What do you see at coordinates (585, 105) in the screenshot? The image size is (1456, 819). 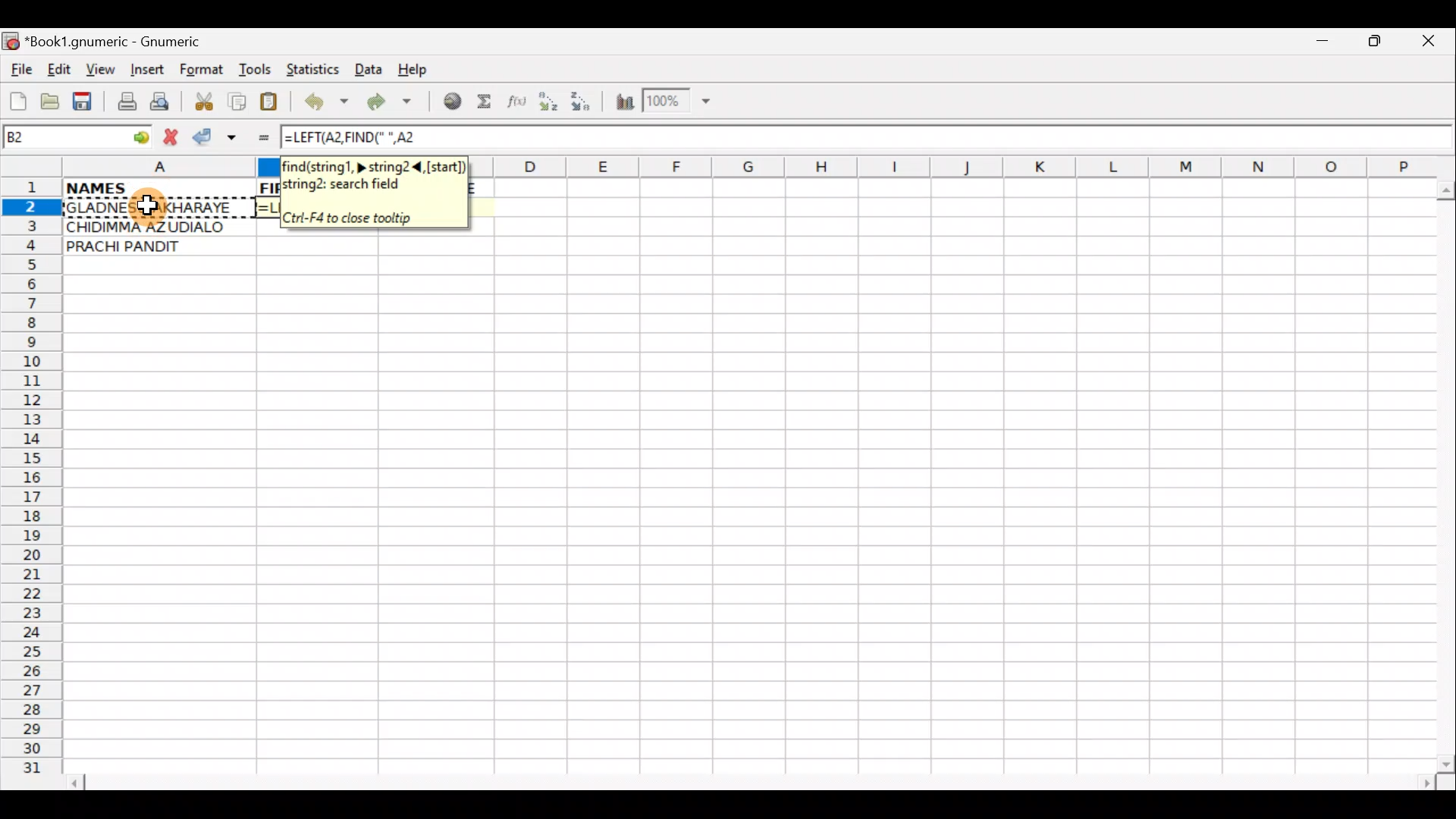 I see `Sort Descending order` at bounding box center [585, 105].